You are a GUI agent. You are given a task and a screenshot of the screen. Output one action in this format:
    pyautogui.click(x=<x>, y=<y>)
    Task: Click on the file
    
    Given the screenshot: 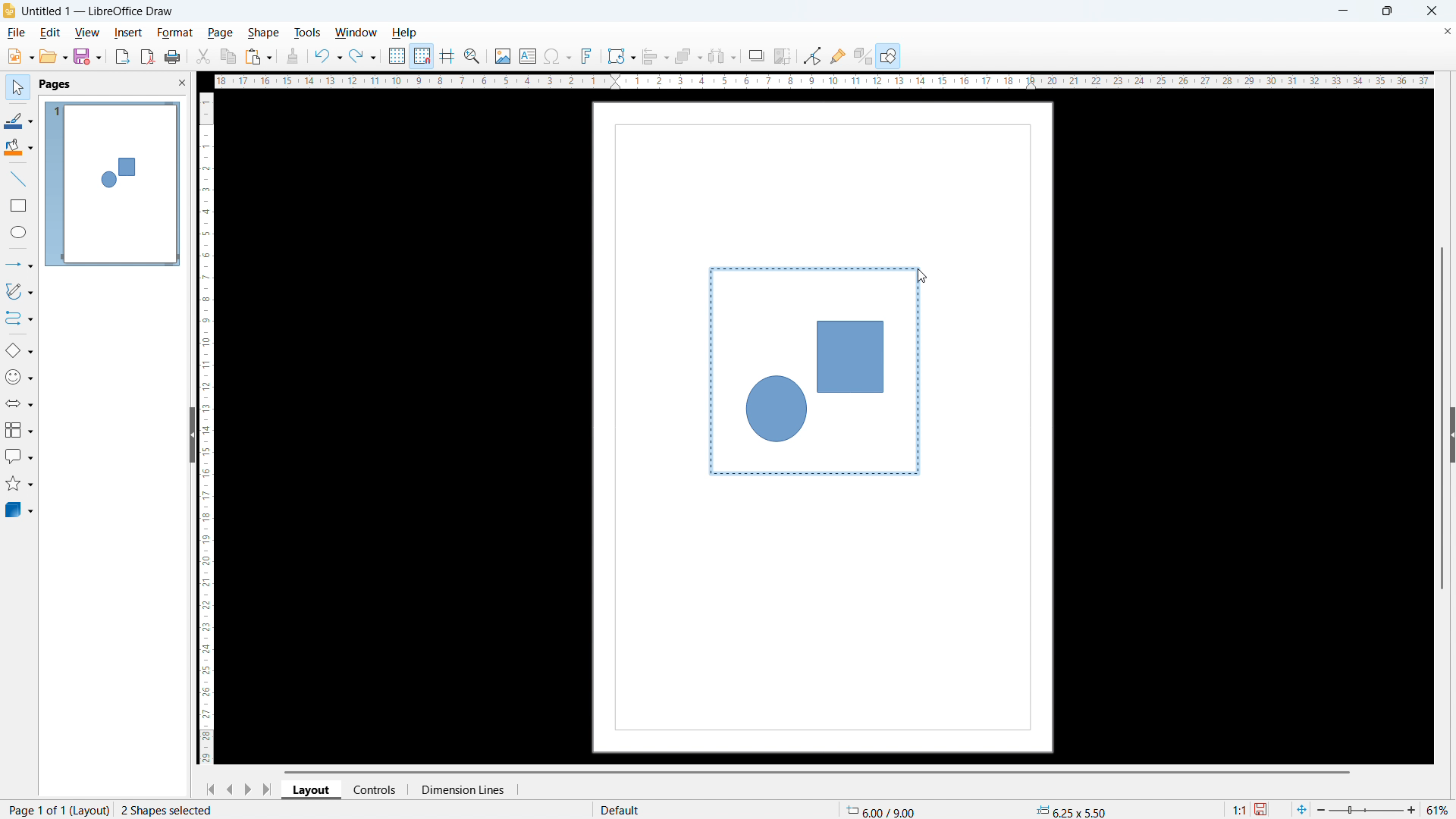 What is the action you would take?
    pyautogui.click(x=17, y=33)
    